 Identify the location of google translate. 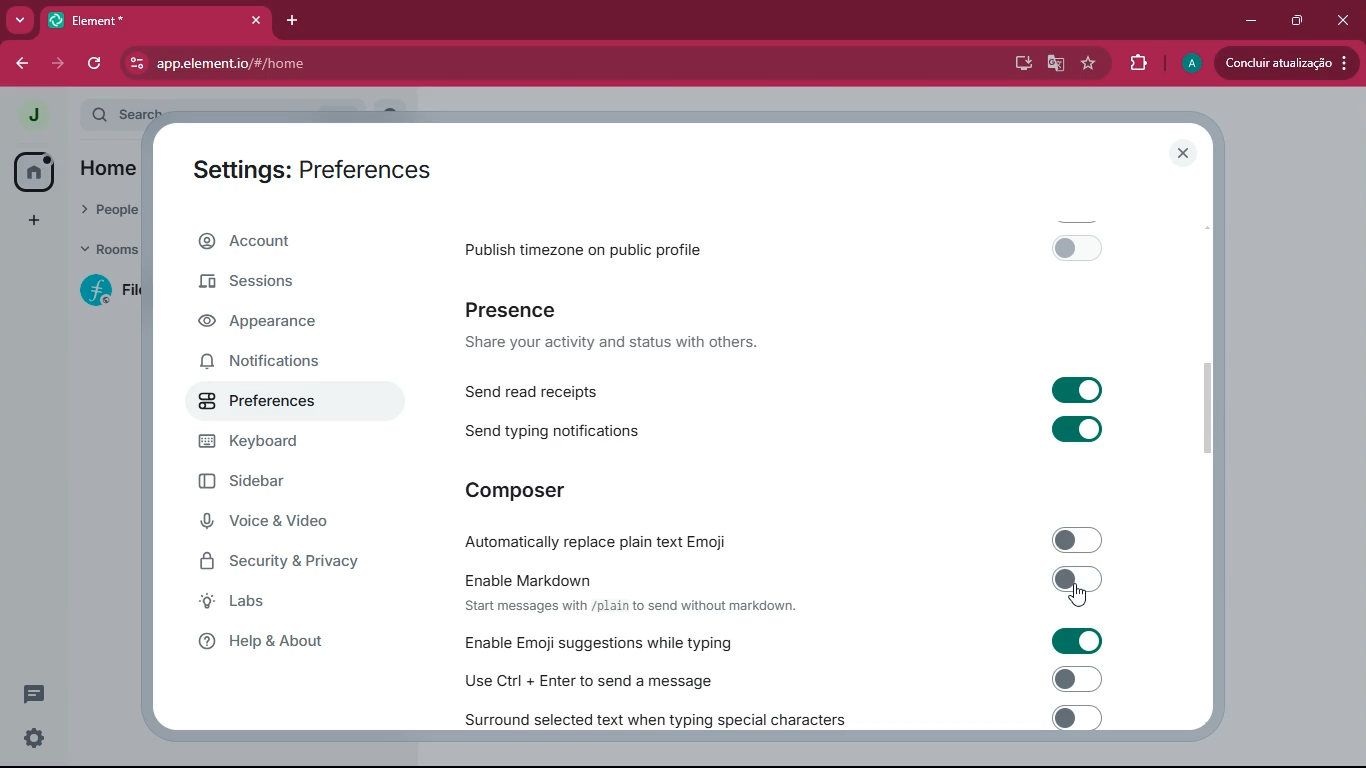
(1056, 65).